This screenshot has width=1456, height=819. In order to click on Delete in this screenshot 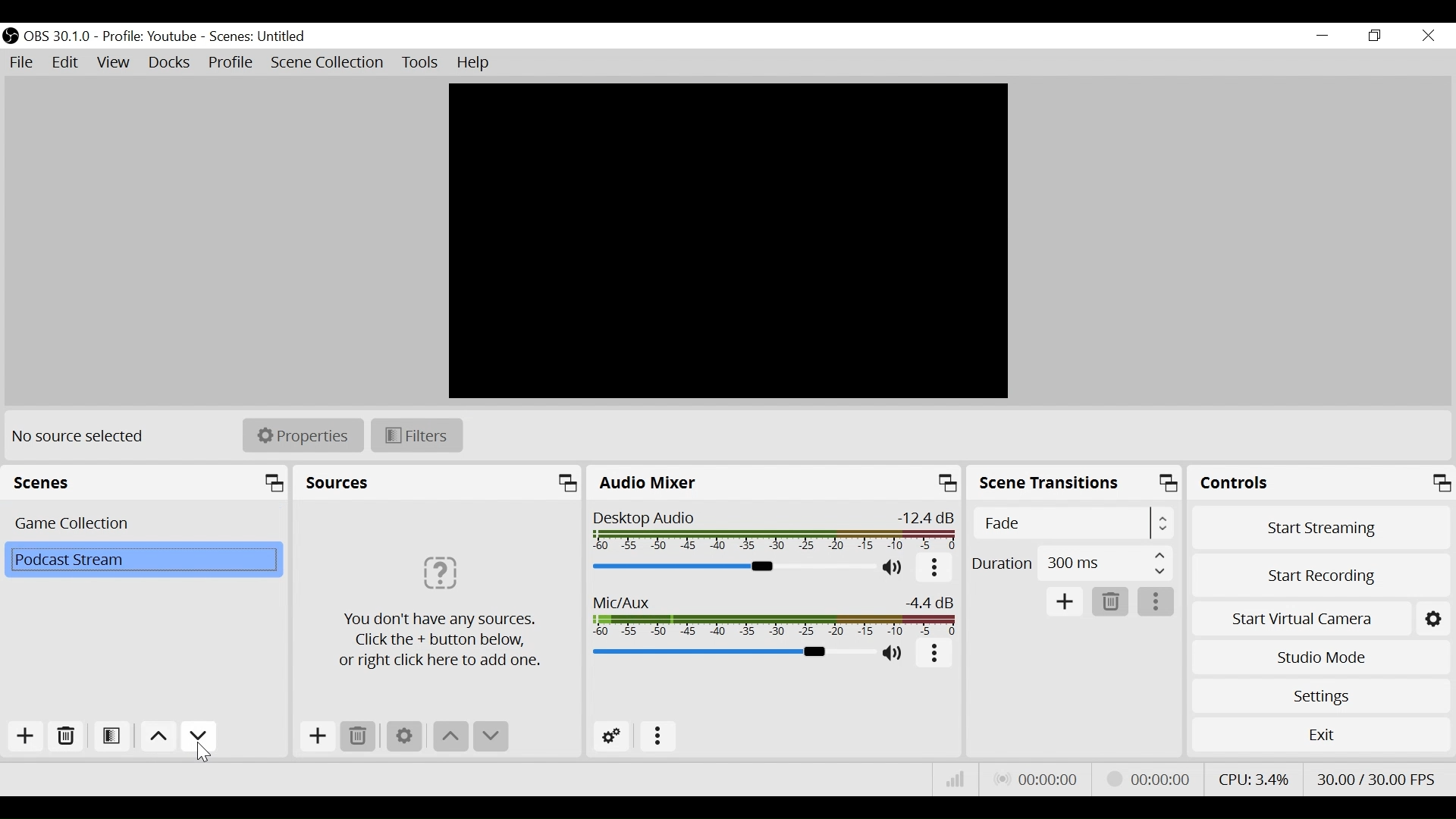, I will do `click(1111, 602)`.